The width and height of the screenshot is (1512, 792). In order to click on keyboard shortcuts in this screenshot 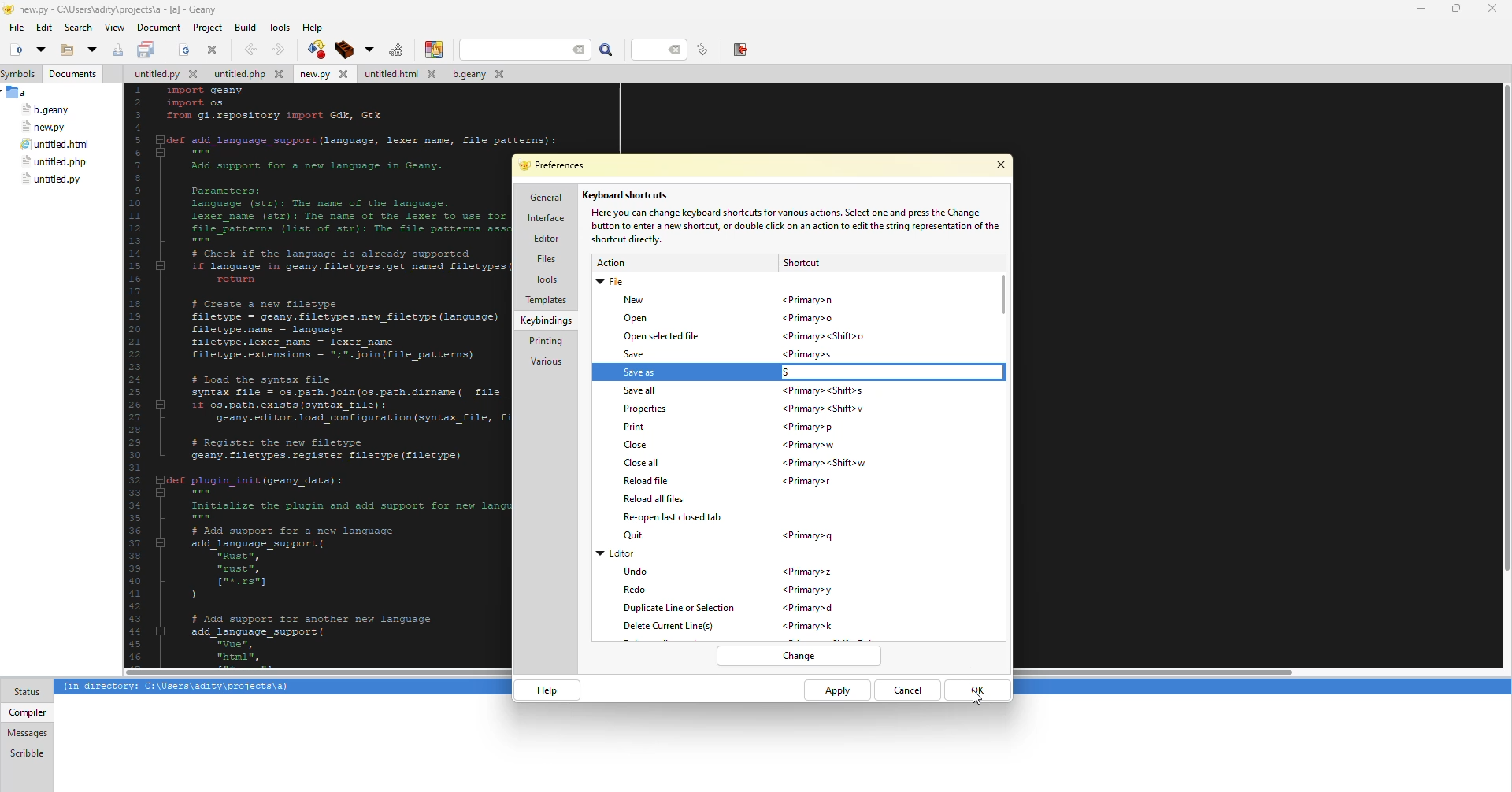, I will do `click(627, 195)`.